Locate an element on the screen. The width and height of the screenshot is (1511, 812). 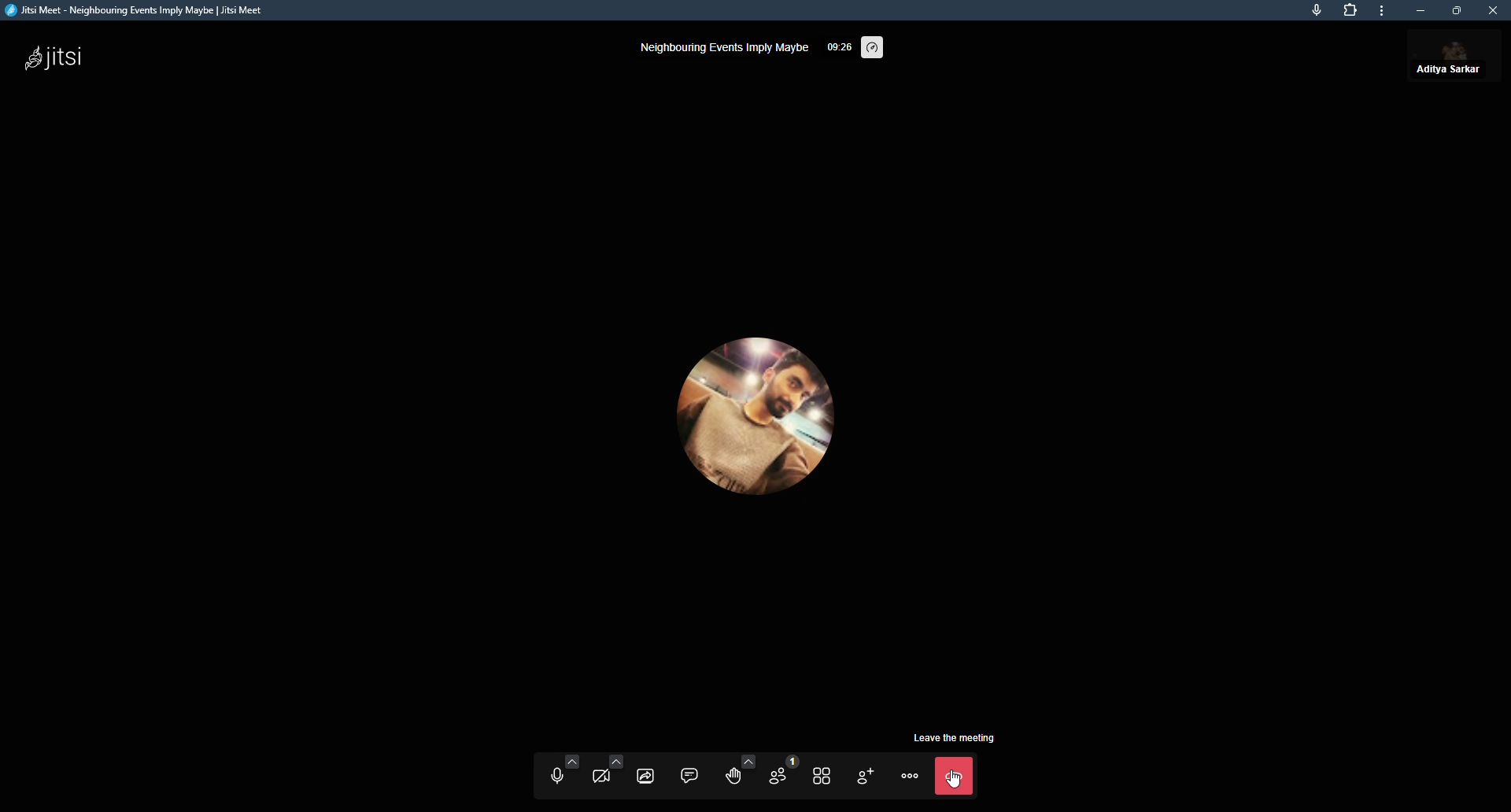
profile picture is located at coordinates (773, 414).